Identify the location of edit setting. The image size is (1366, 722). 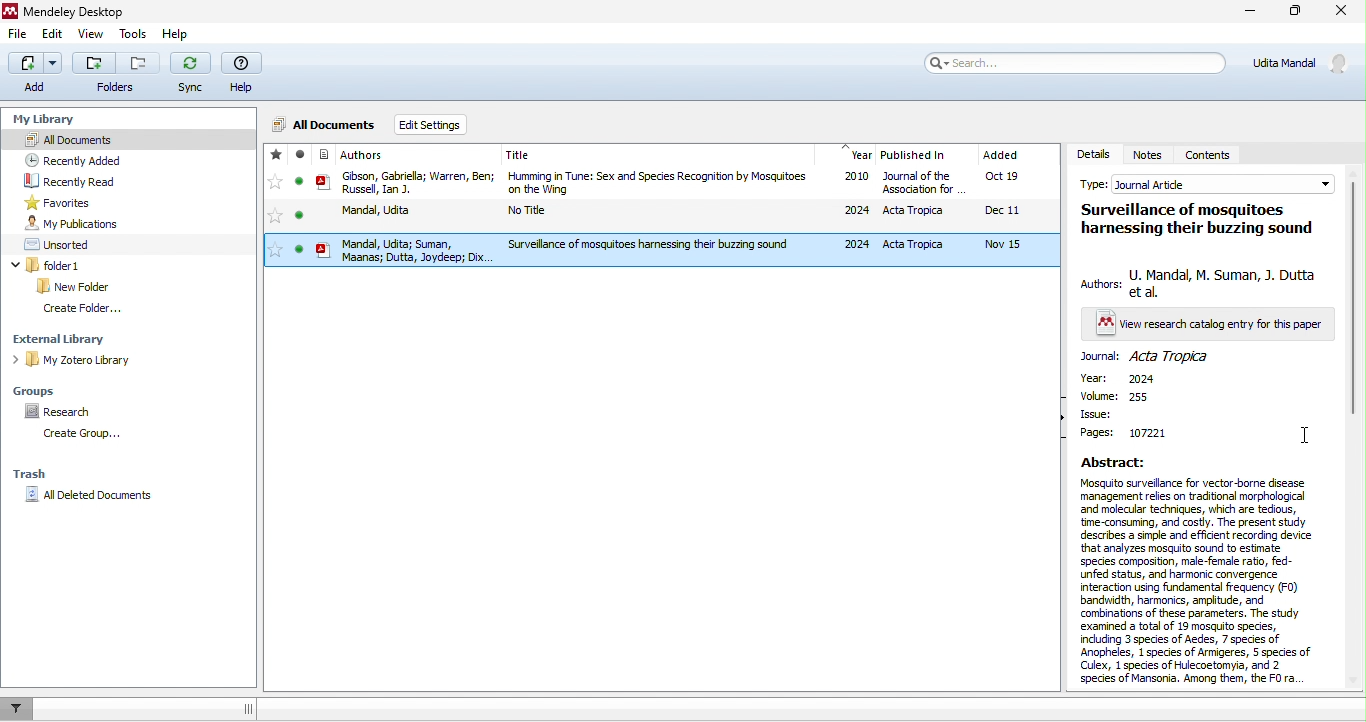
(433, 126).